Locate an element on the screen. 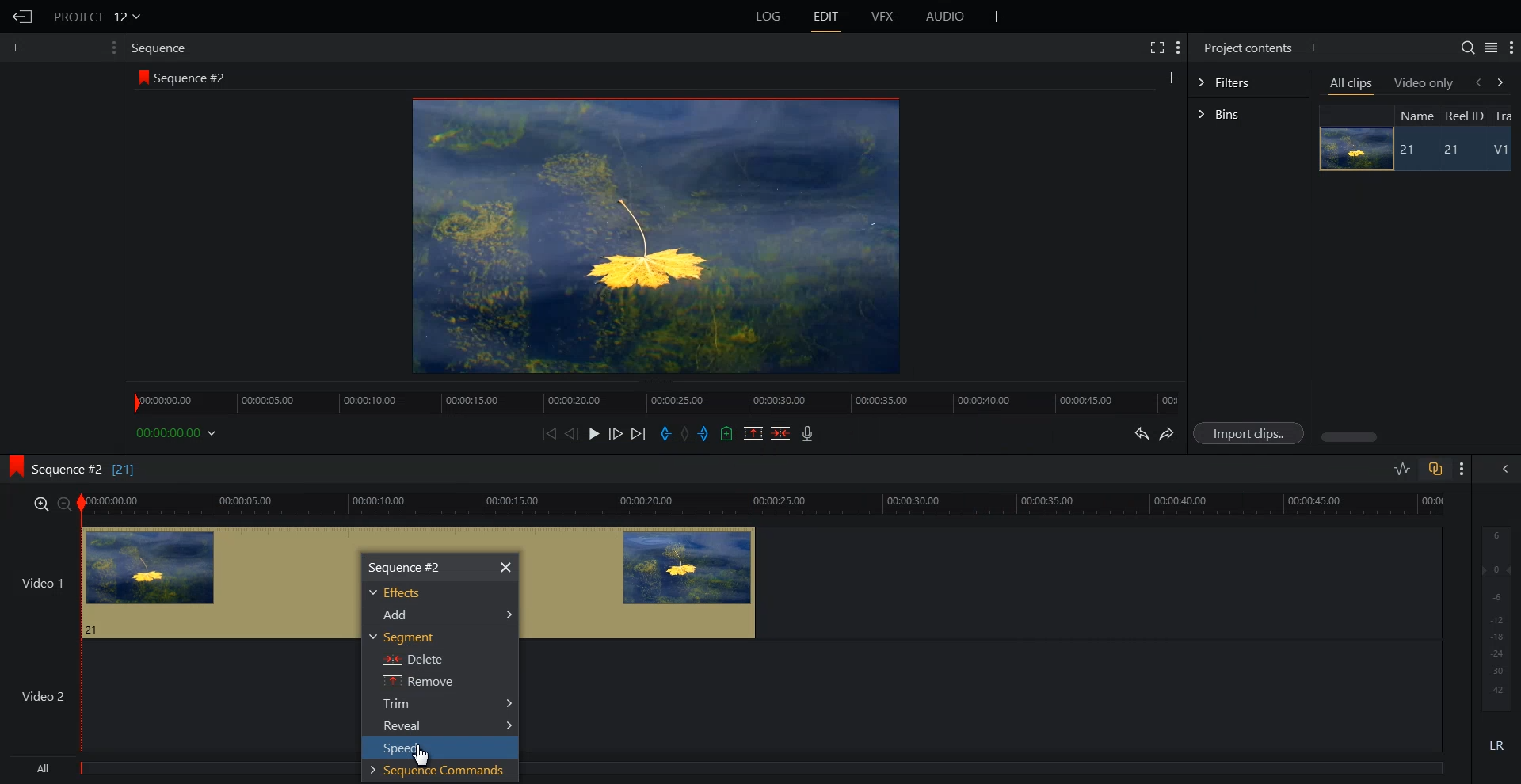  Toggle audio level editing is located at coordinates (1402, 468).